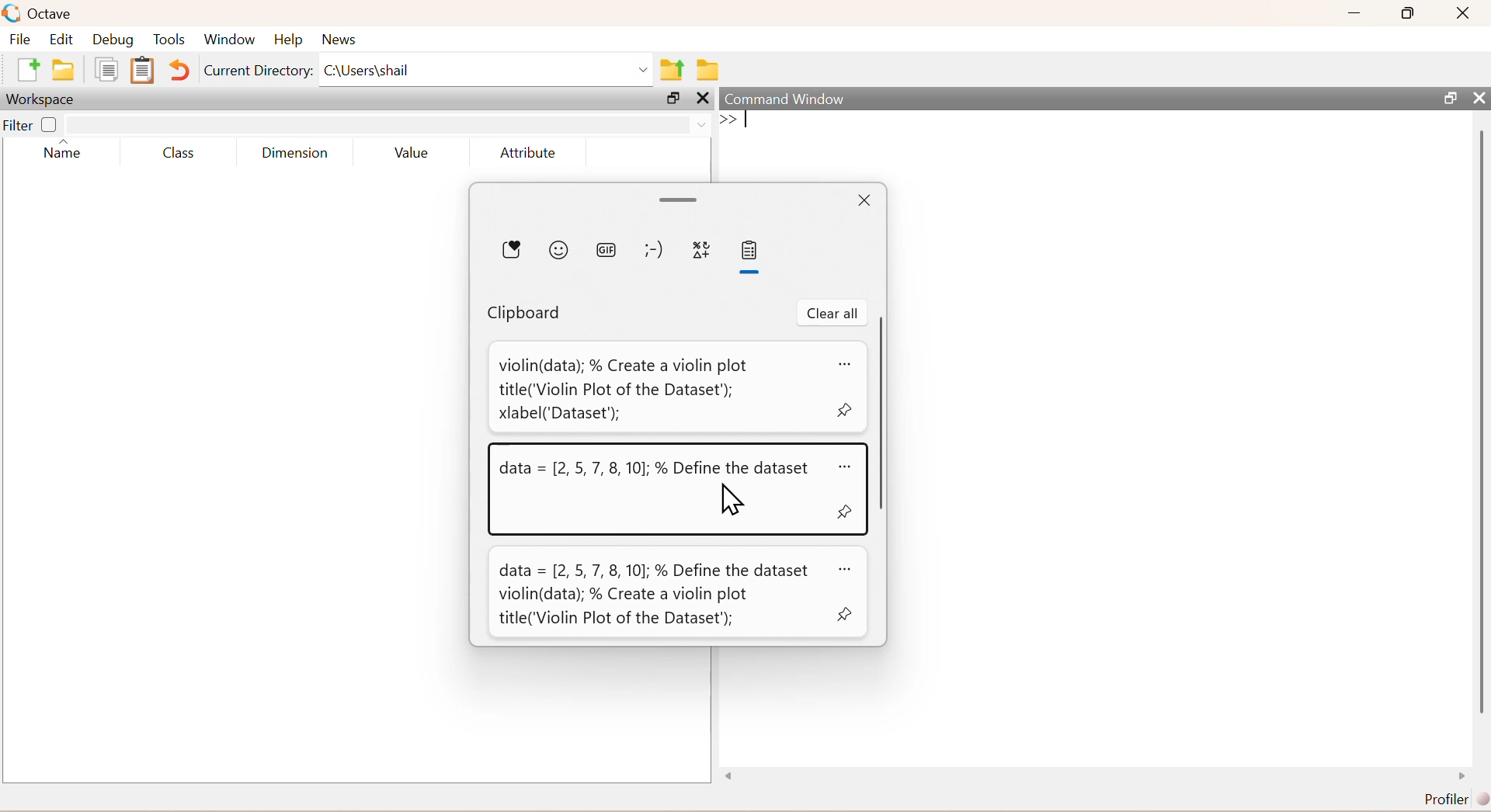 This screenshot has width=1491, height=812. Describe the element at coordinates (882, 411) in the screenshot. I see `scroll bar` at that location.